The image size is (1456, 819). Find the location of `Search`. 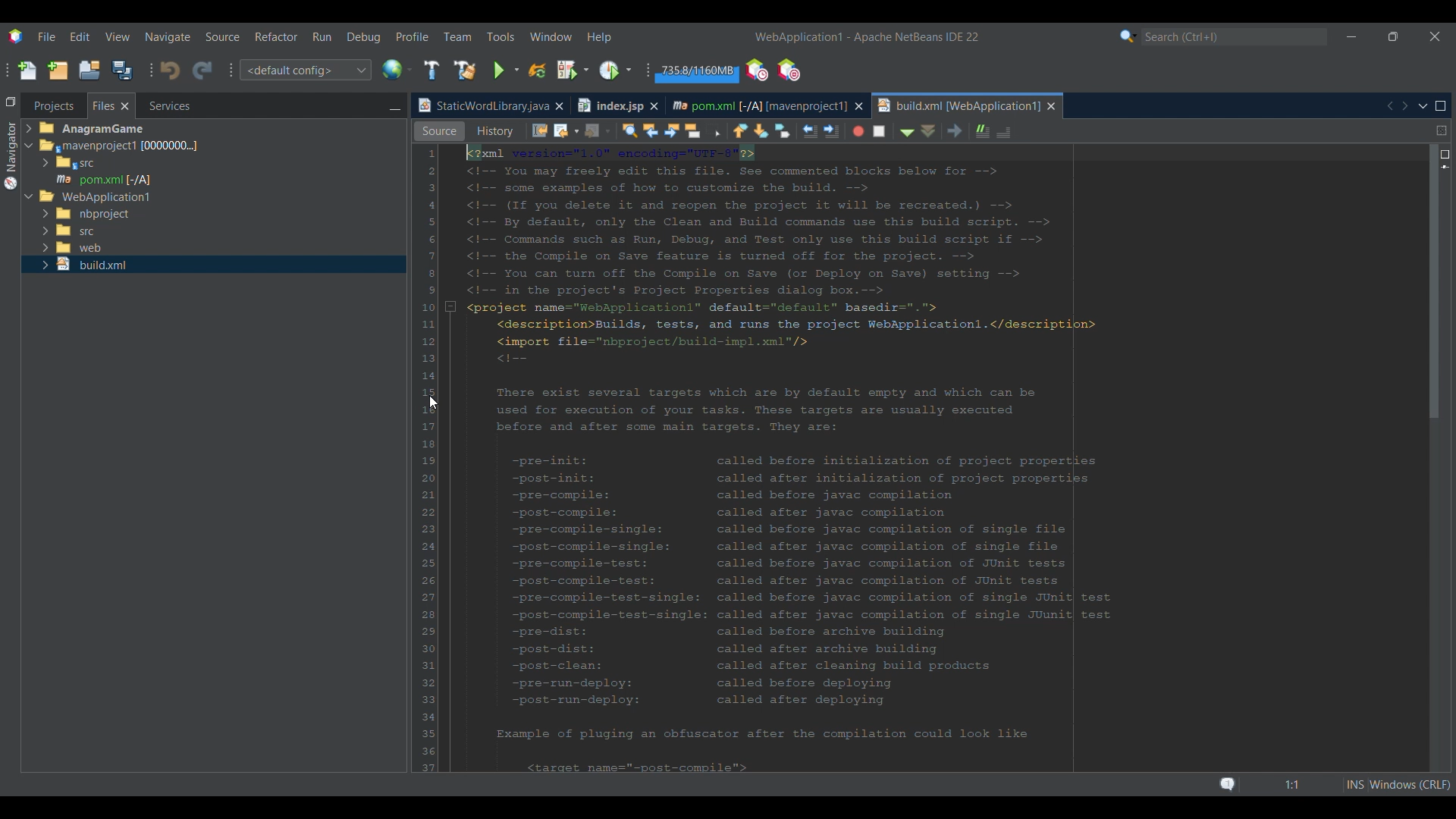

Search is located at coordinates (1235, 37).